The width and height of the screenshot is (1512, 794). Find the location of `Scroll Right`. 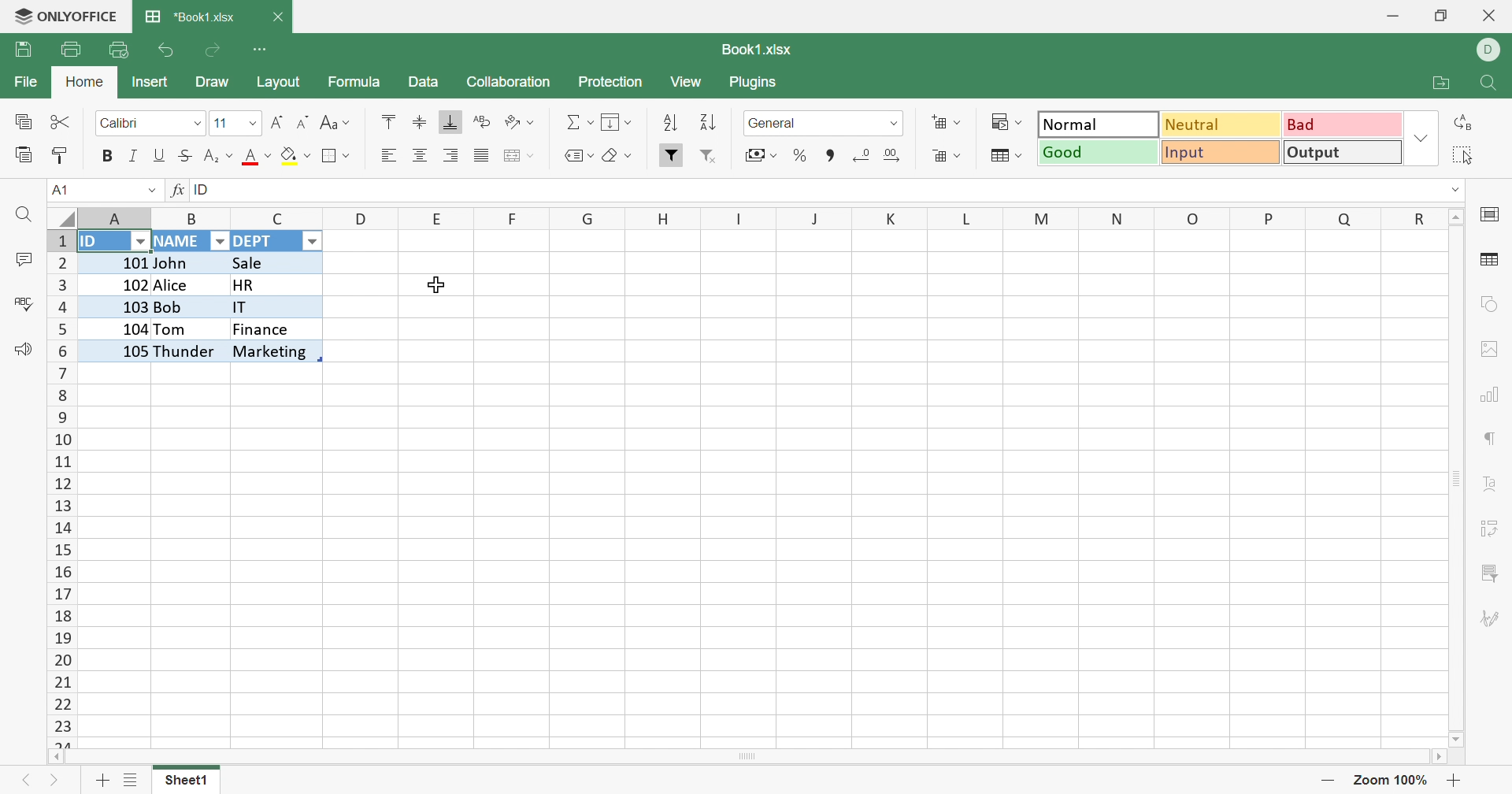

Scroll Right is located at coordinates (1436, 756).